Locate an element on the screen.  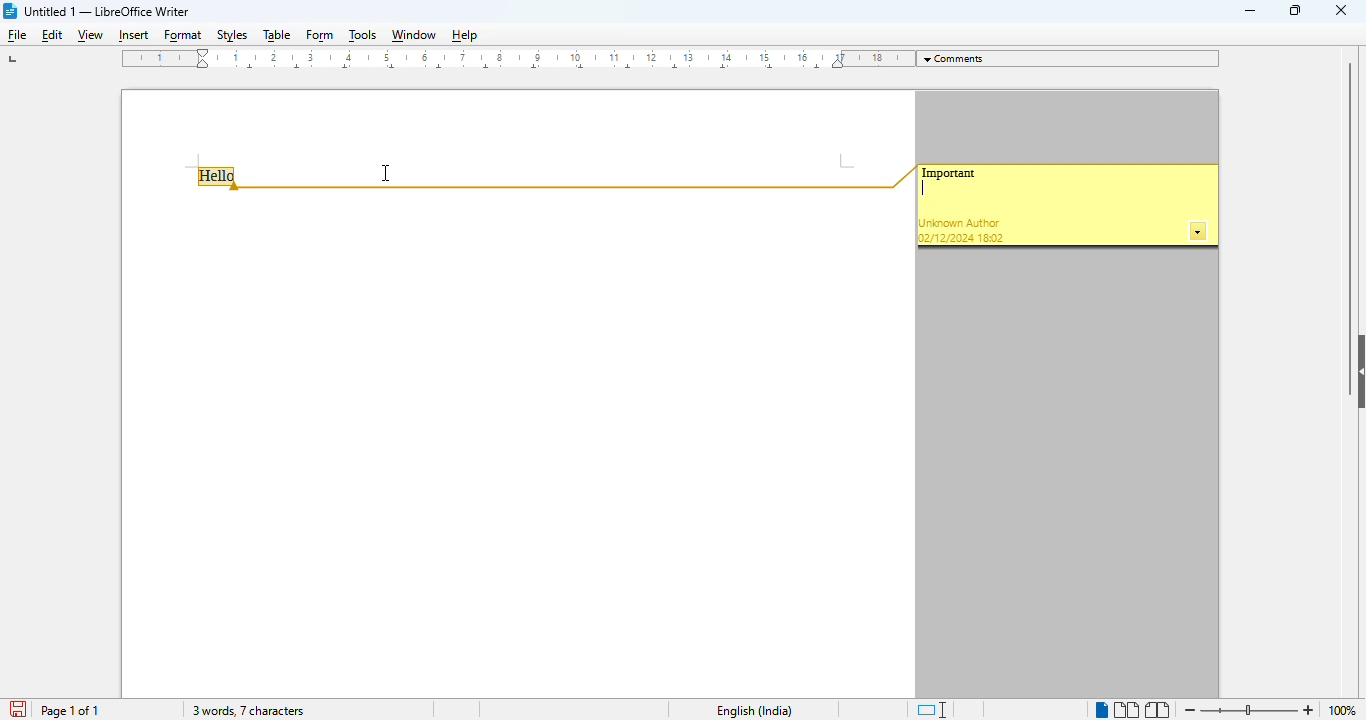
standard selection is located at coordinates (932, 709).